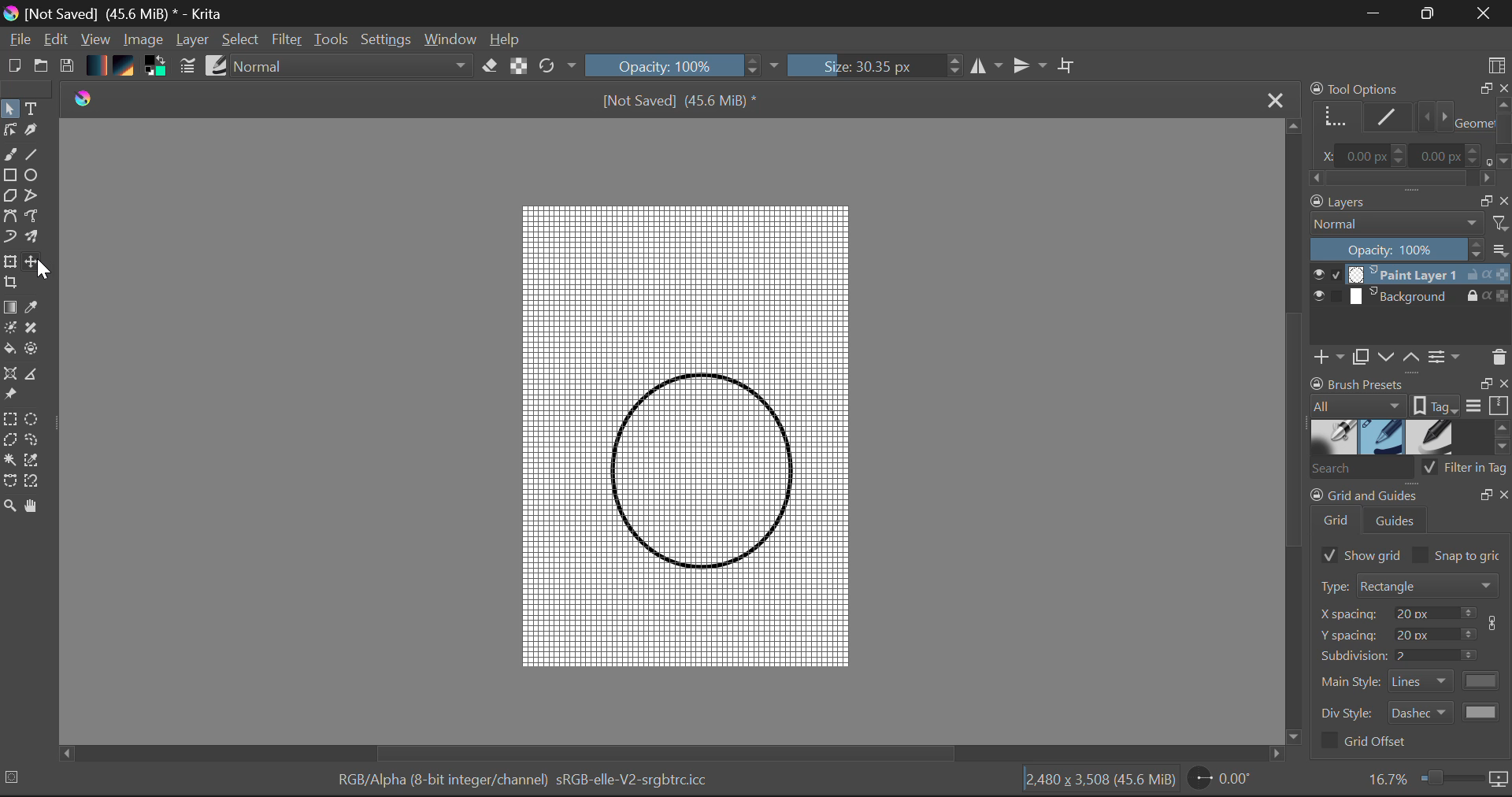 Image resolution: width=1512 pixels, height=797 pixels. Describe the element at coordinates (1275, 99) in the screenshot. I see `Close` at that location.